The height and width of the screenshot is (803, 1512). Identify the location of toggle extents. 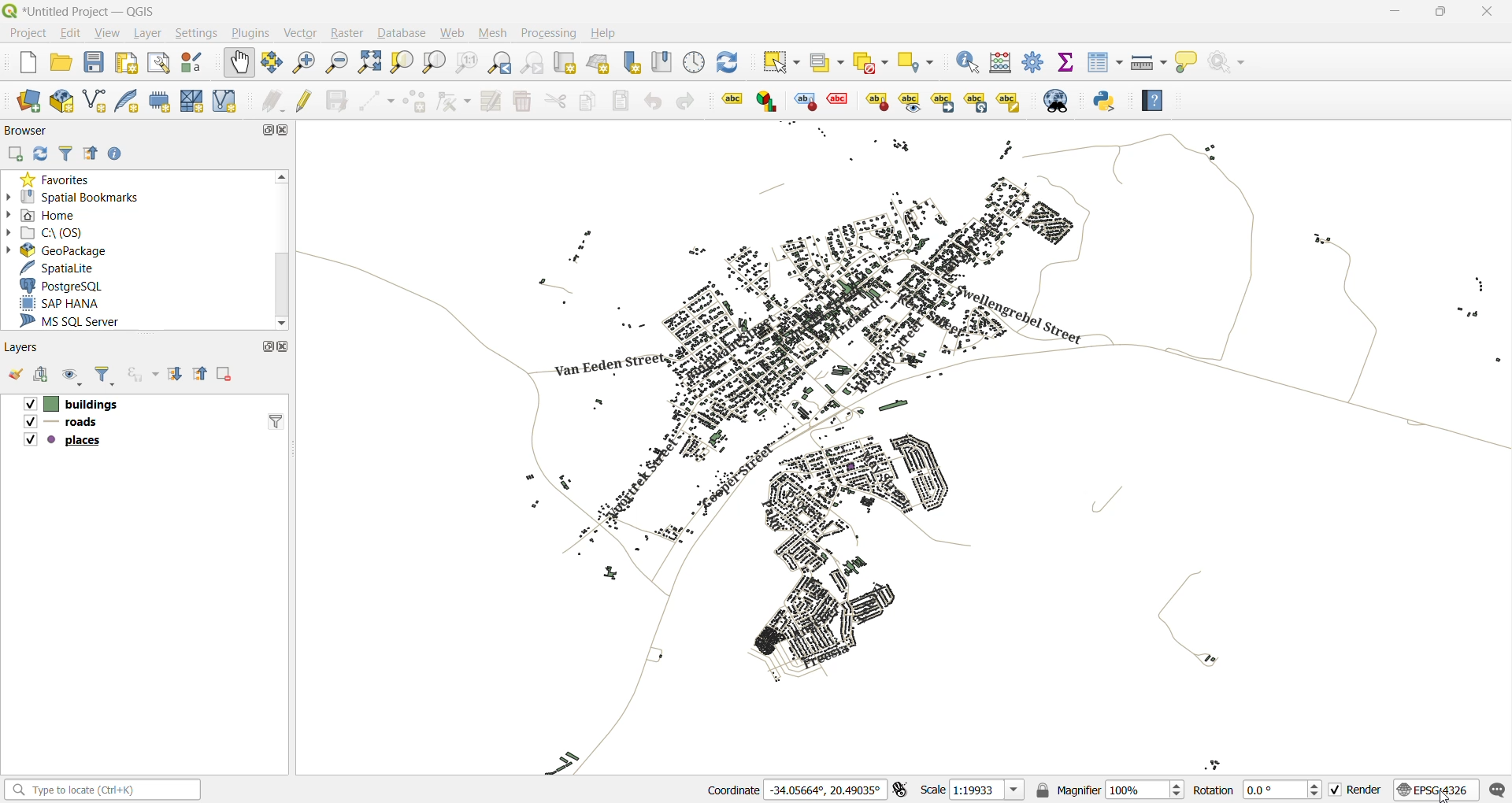
(903, 790).